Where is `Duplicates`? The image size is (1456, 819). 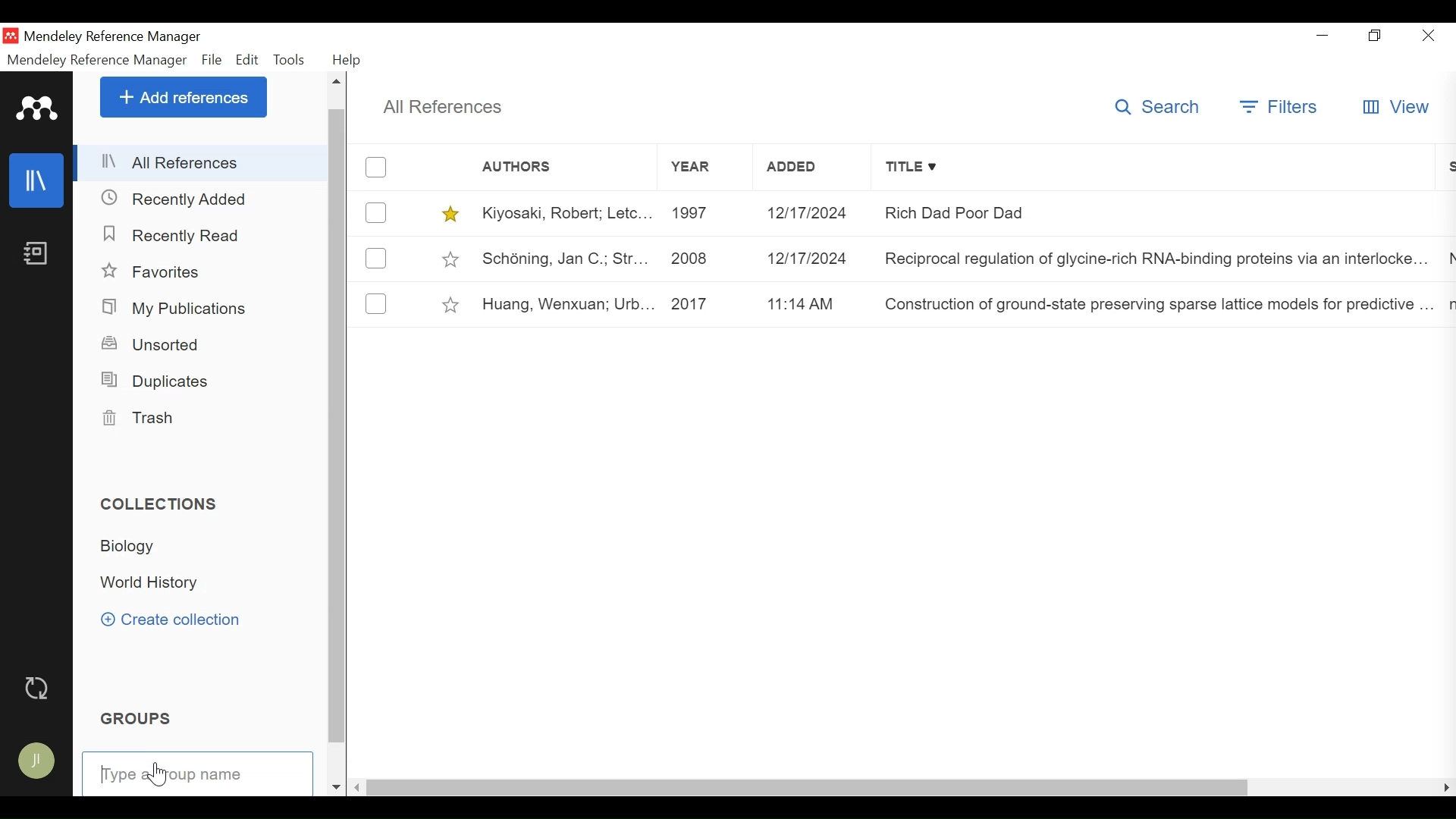 Duplicates is located at coordinates (156, 381).